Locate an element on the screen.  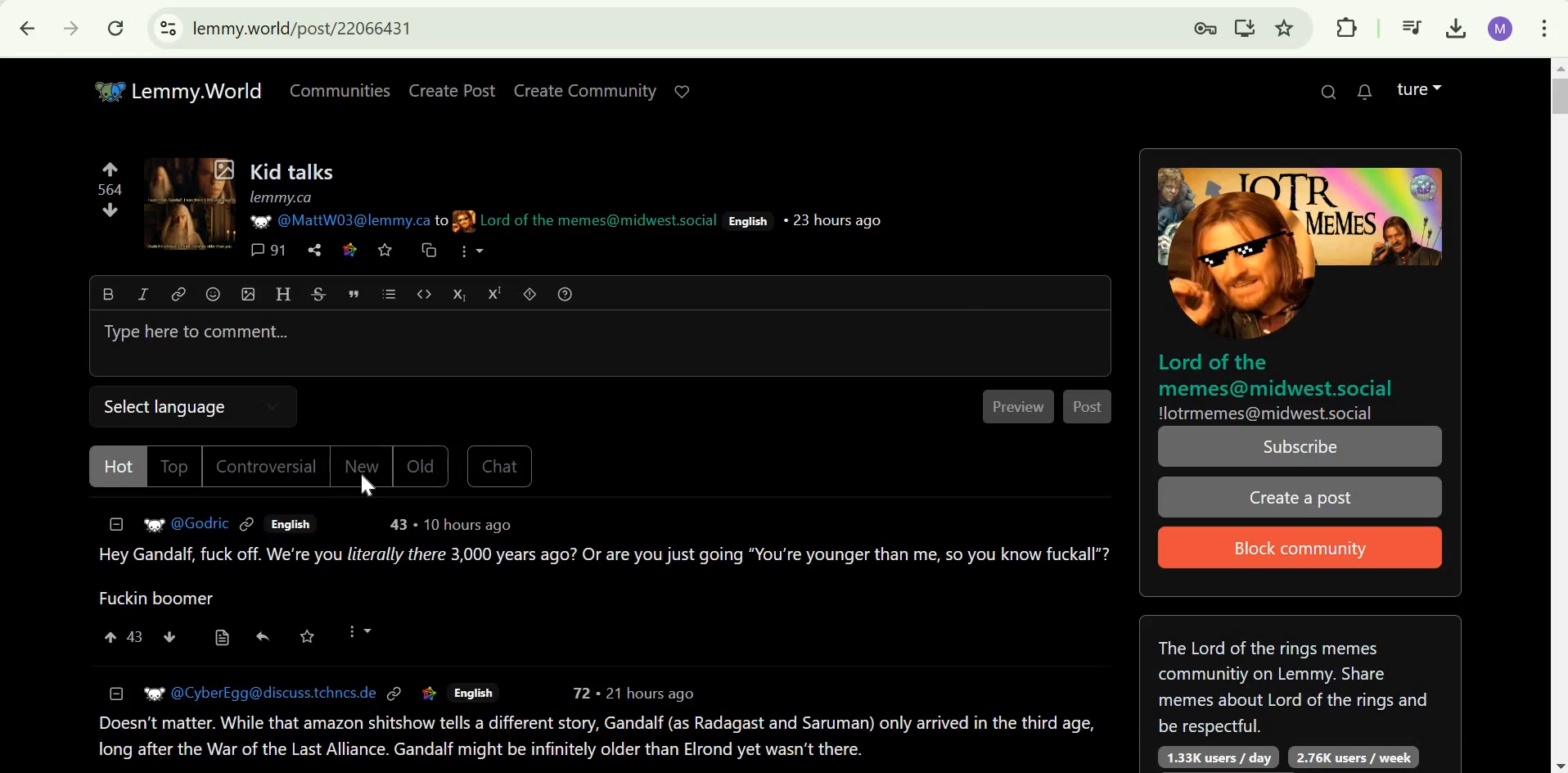
expand here is located at coordinates (194, 202).